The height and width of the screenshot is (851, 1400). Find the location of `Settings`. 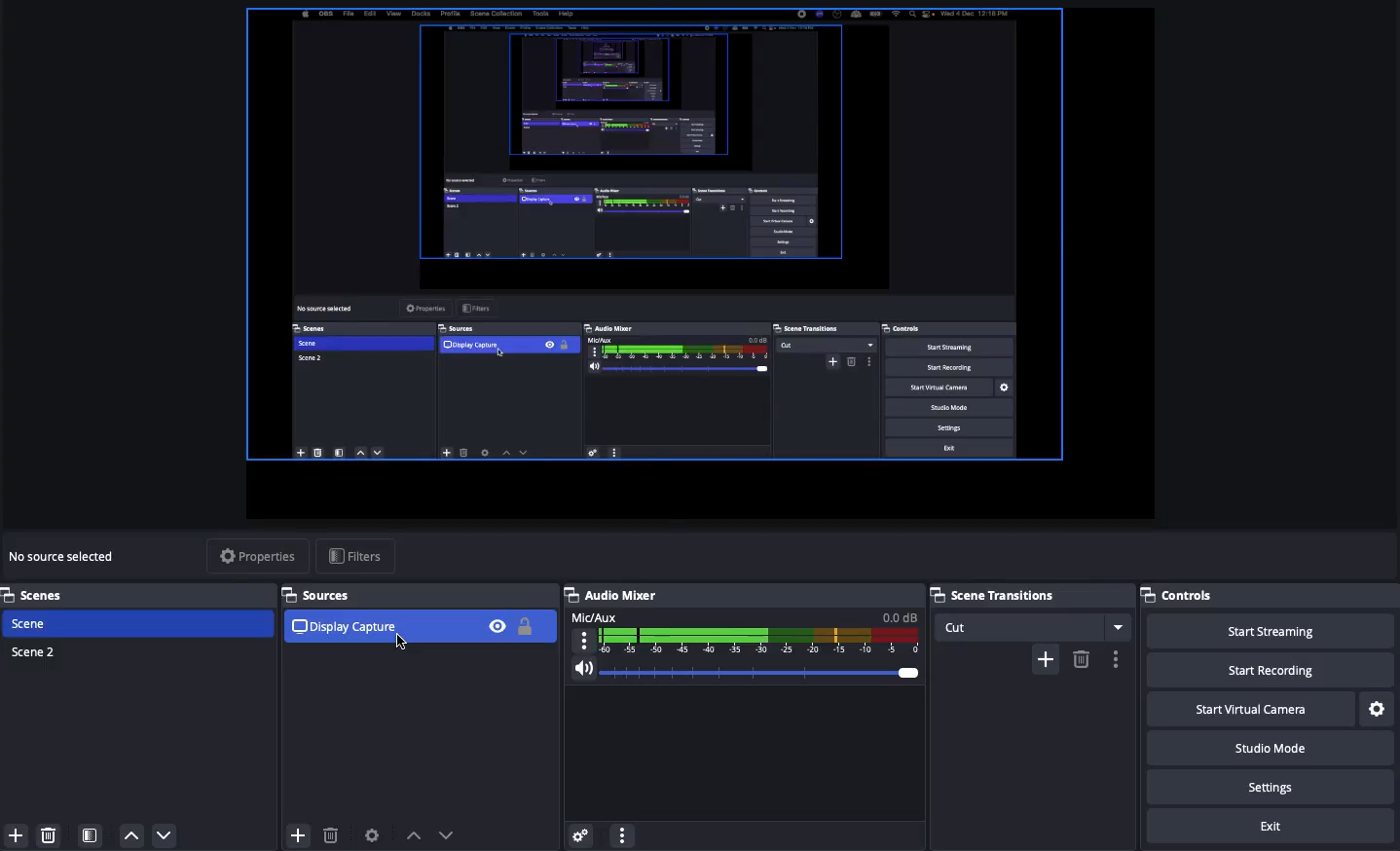

Settings is located at coordinates (1376, 706).